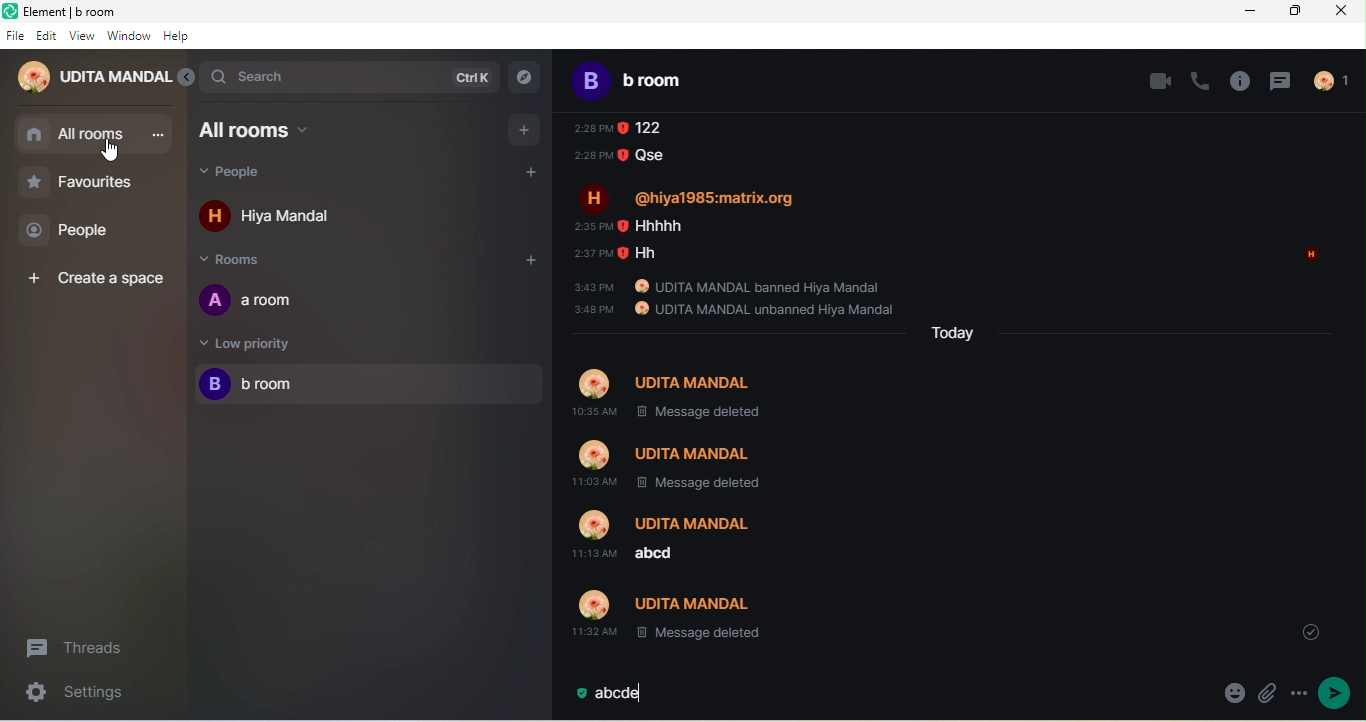  What do you see at coordinates (94, 181) in the screenshot?
I see `favourites` at bounding box center [94, 181].